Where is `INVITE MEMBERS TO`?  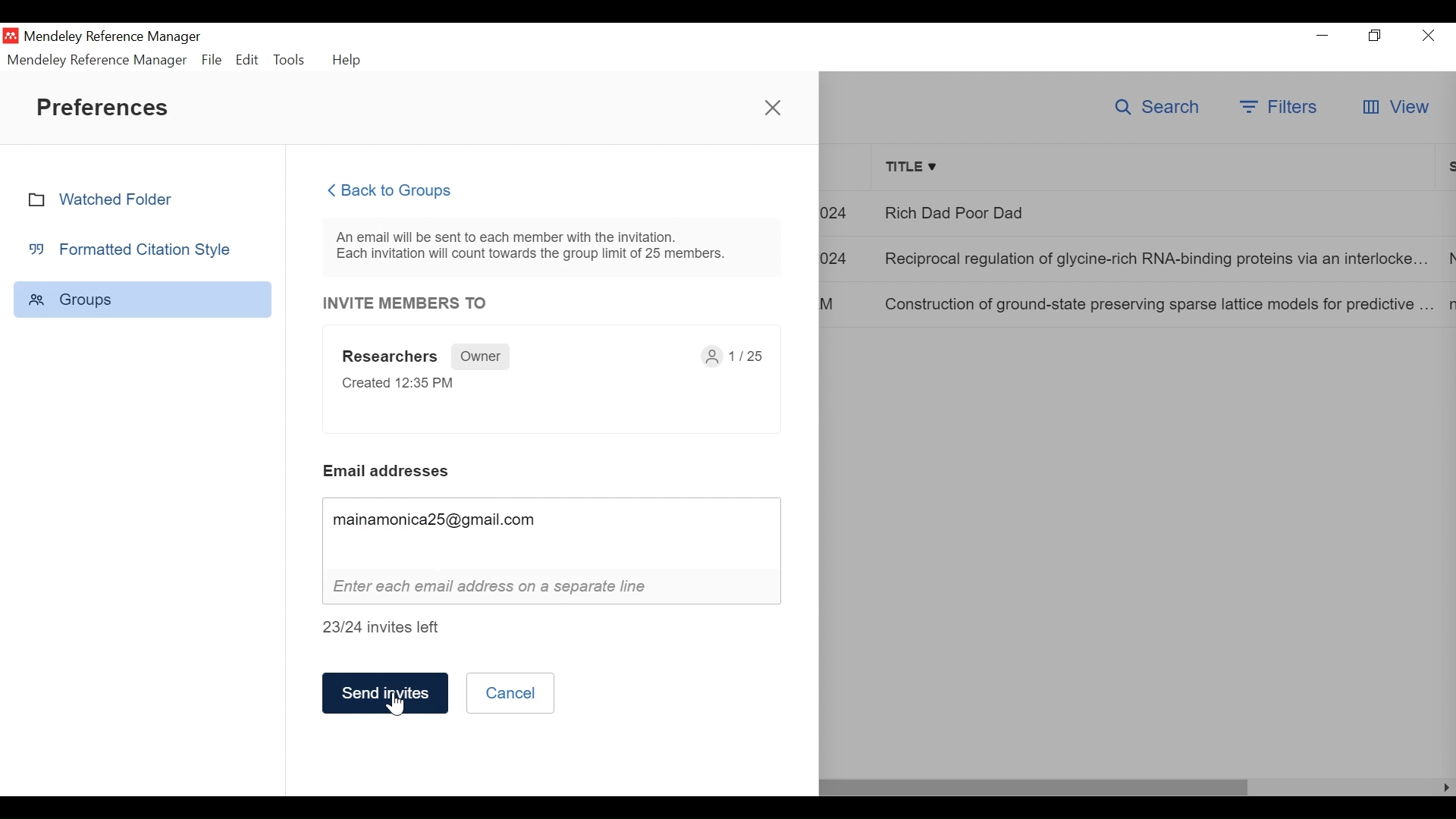 INVITE MEMBERS TO is located at coordinates (406, 303).